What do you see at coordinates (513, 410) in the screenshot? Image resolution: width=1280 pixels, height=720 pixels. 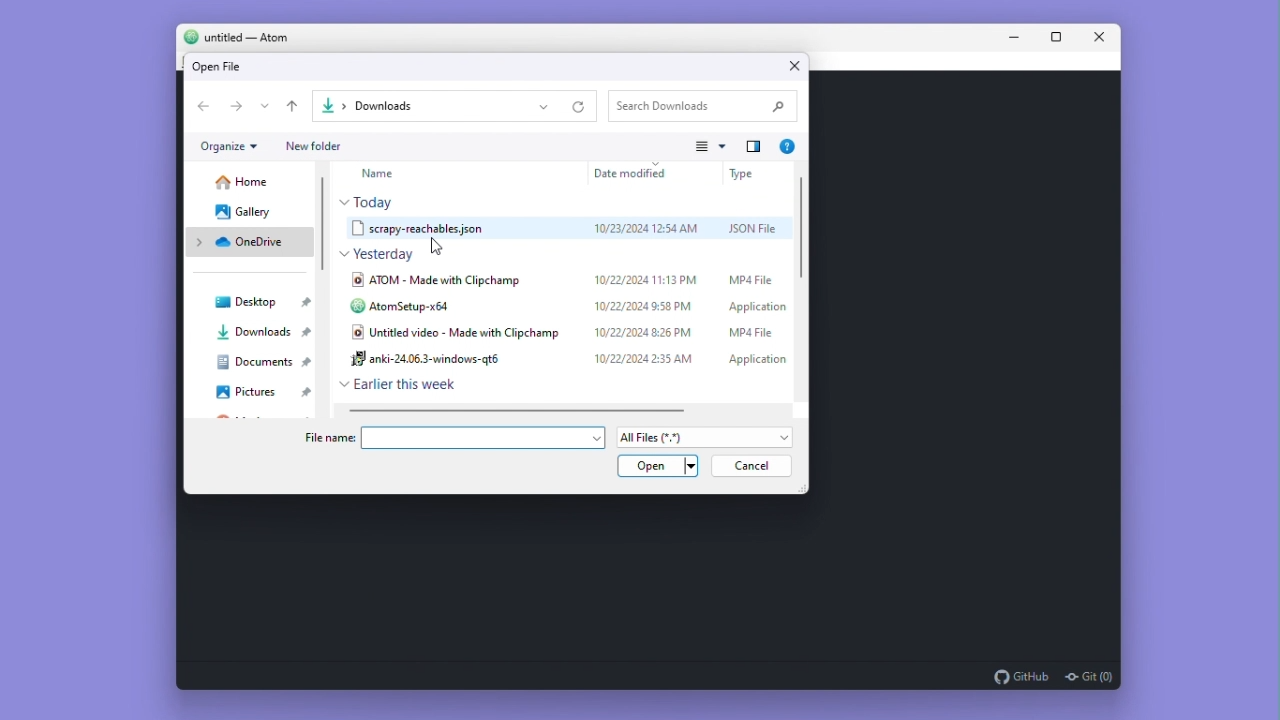 I see `Horizontal scroll bar` at bounding box center [513, 410].